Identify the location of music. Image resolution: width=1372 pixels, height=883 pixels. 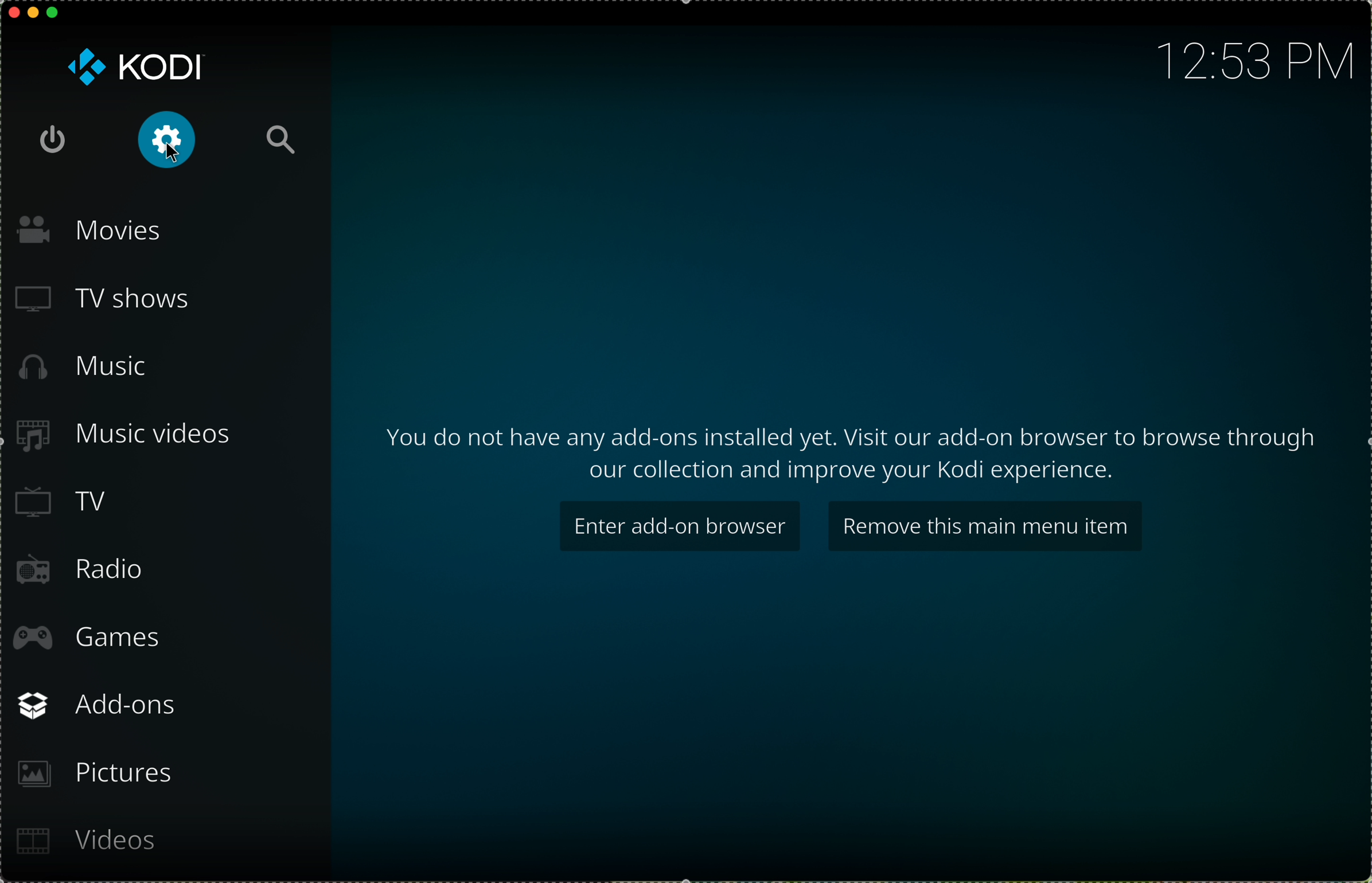
(95, 368).